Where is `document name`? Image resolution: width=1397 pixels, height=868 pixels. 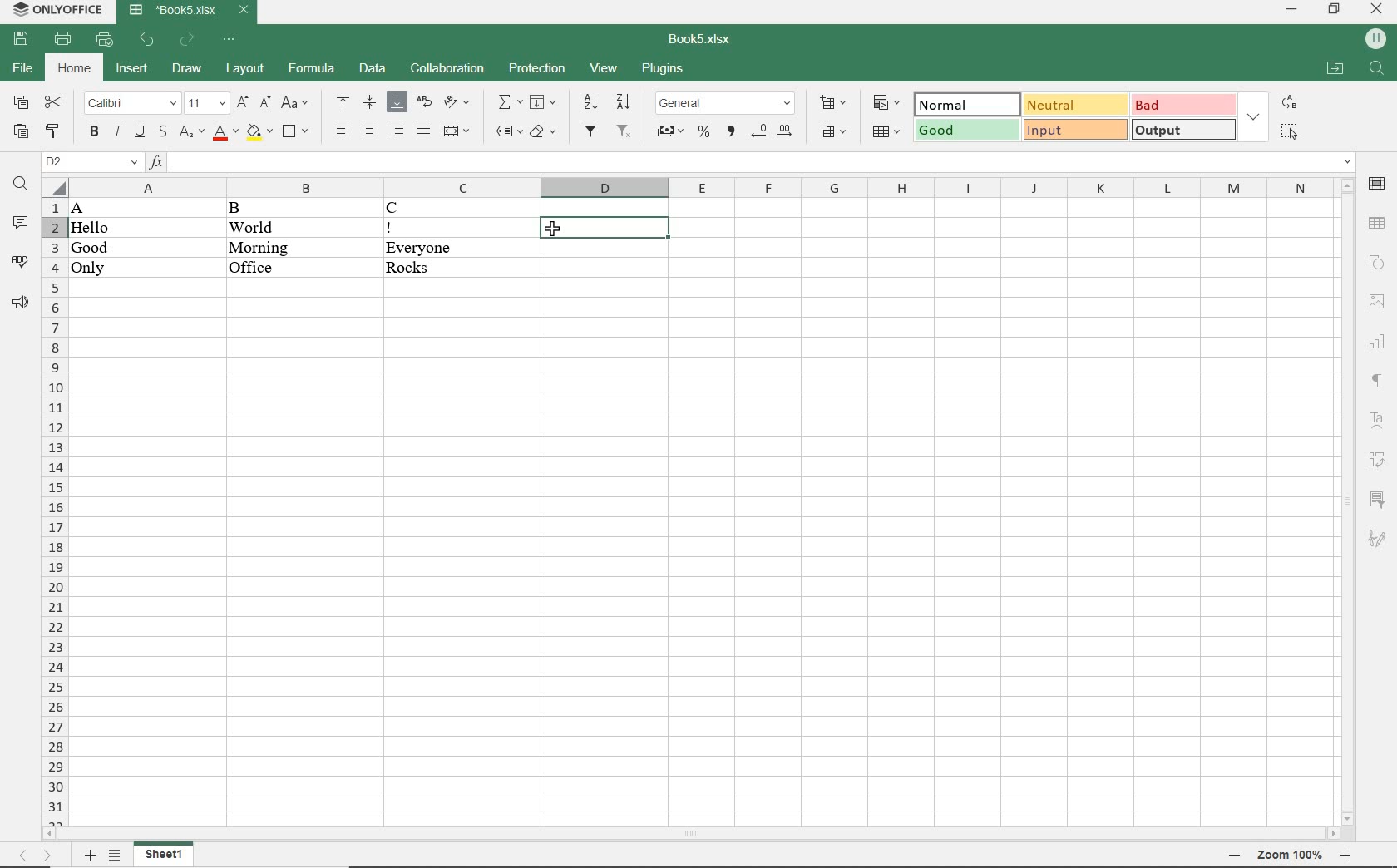
document name is located at coordinates (188, 12).